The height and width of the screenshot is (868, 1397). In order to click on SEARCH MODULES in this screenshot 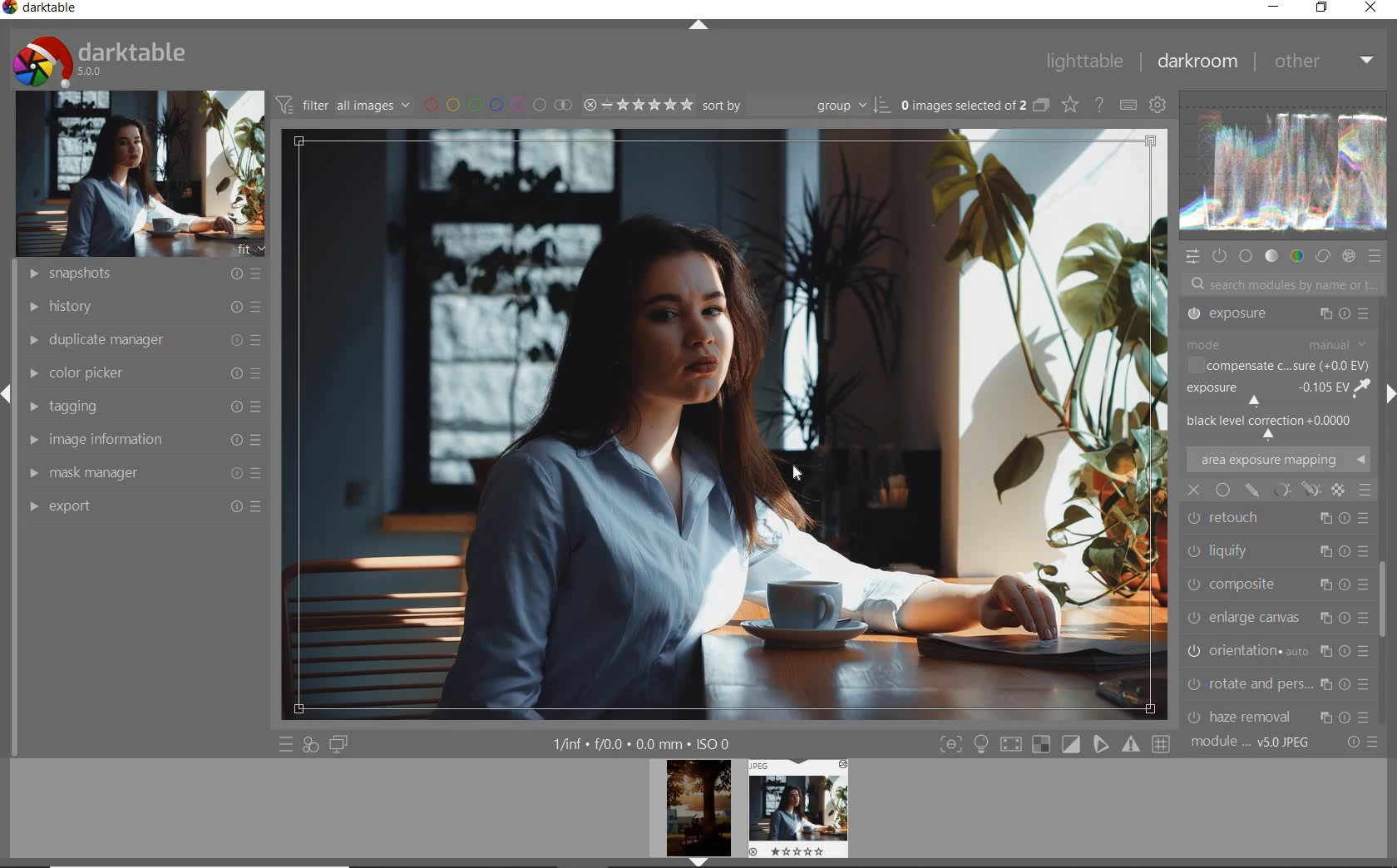, I will do `click(1283, 284)`.